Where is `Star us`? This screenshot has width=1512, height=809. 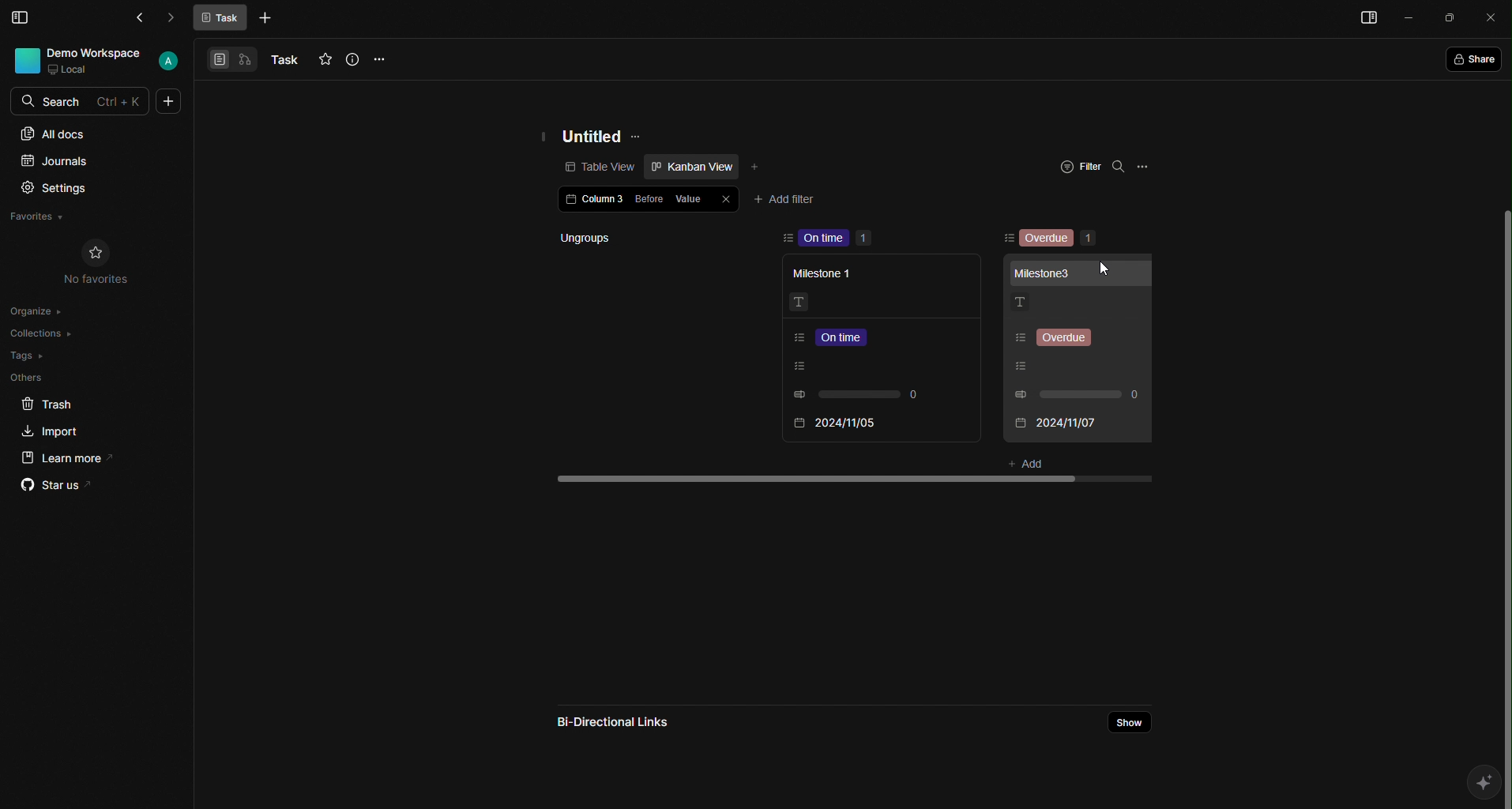
Star us is located at coordinates (51, 487).